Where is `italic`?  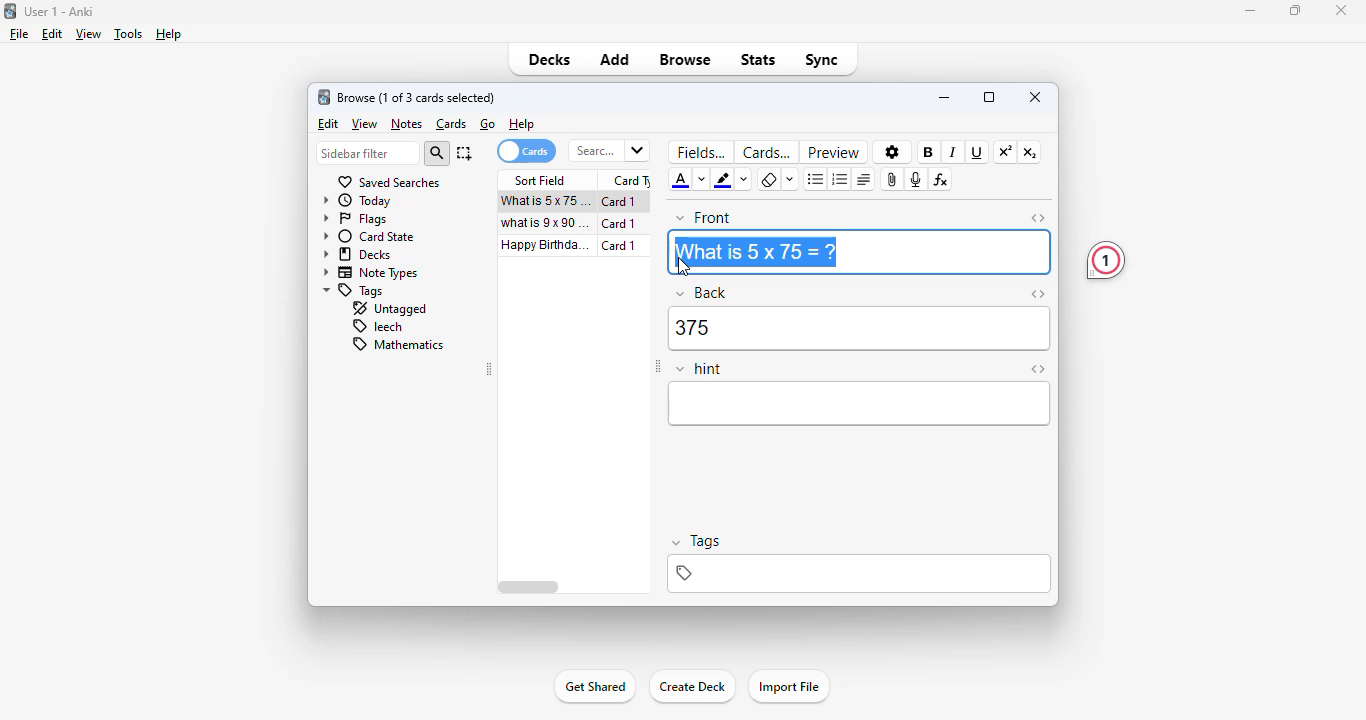
italic is located at coordinates (954, 152).